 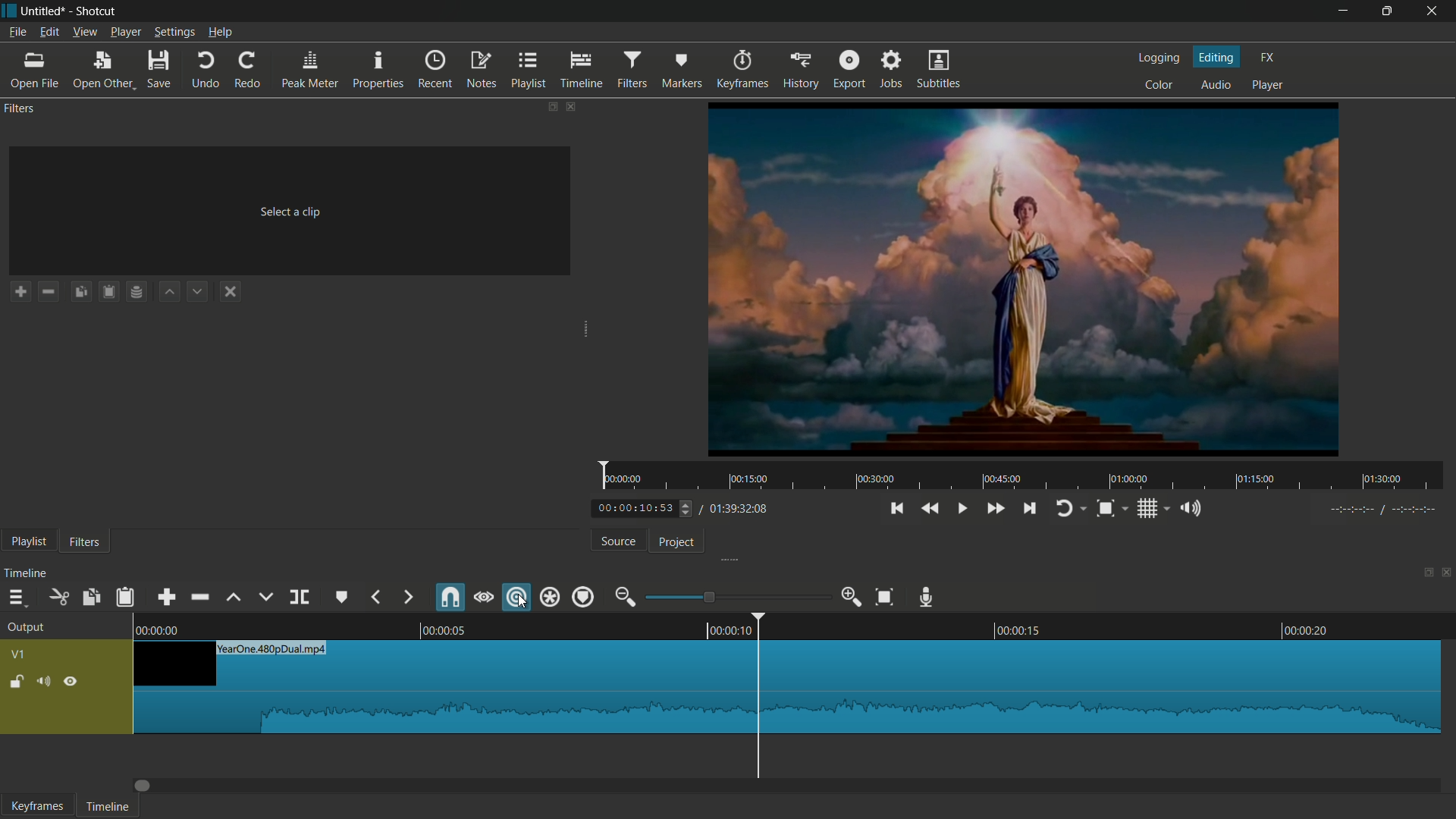 I want to click on color, so click(x=1159, y=84).